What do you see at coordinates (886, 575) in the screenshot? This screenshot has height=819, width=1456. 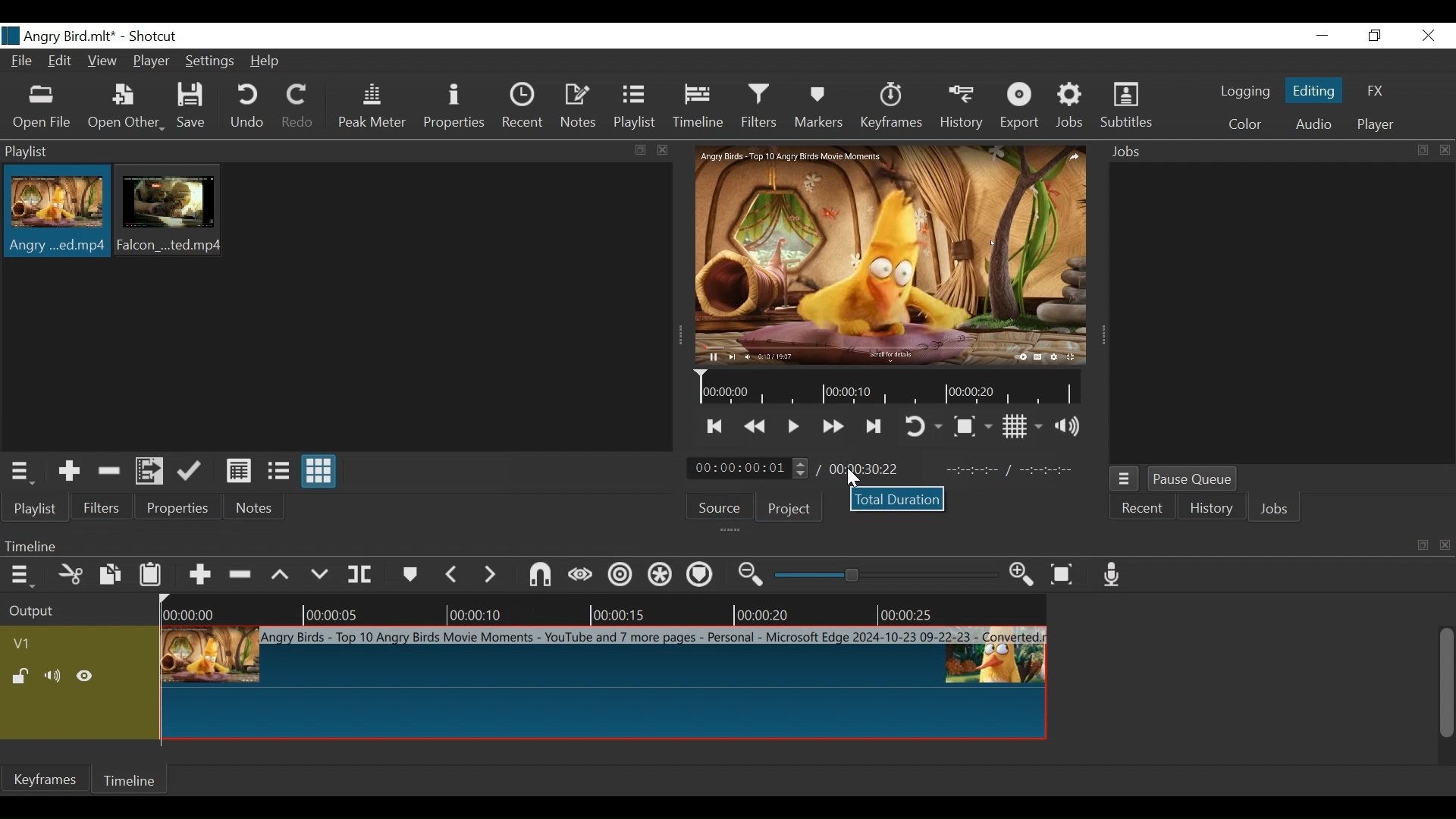 I see `Zoom slider` at bounding box center [886, 575].